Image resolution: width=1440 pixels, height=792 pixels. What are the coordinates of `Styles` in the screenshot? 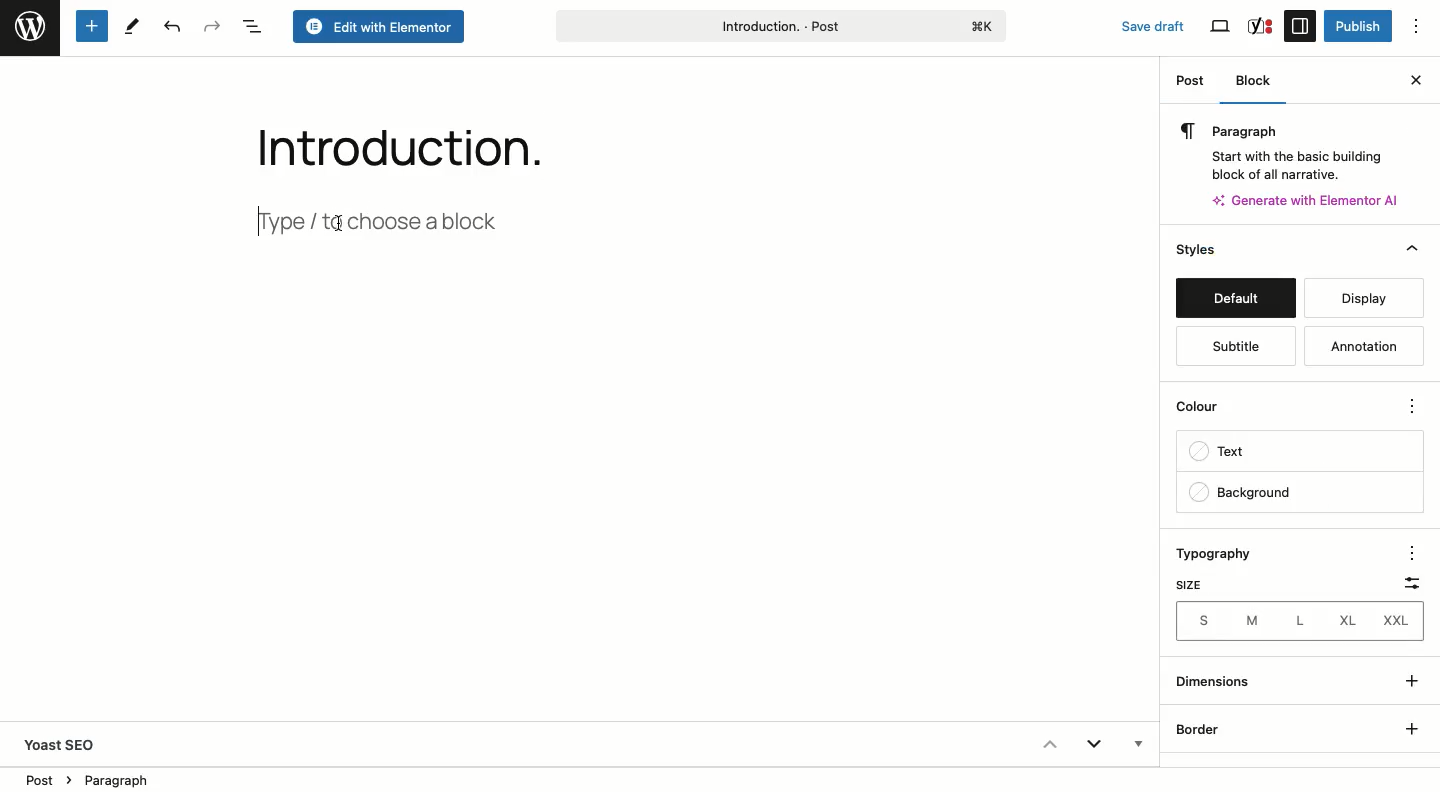 It's located at (1233, 251).